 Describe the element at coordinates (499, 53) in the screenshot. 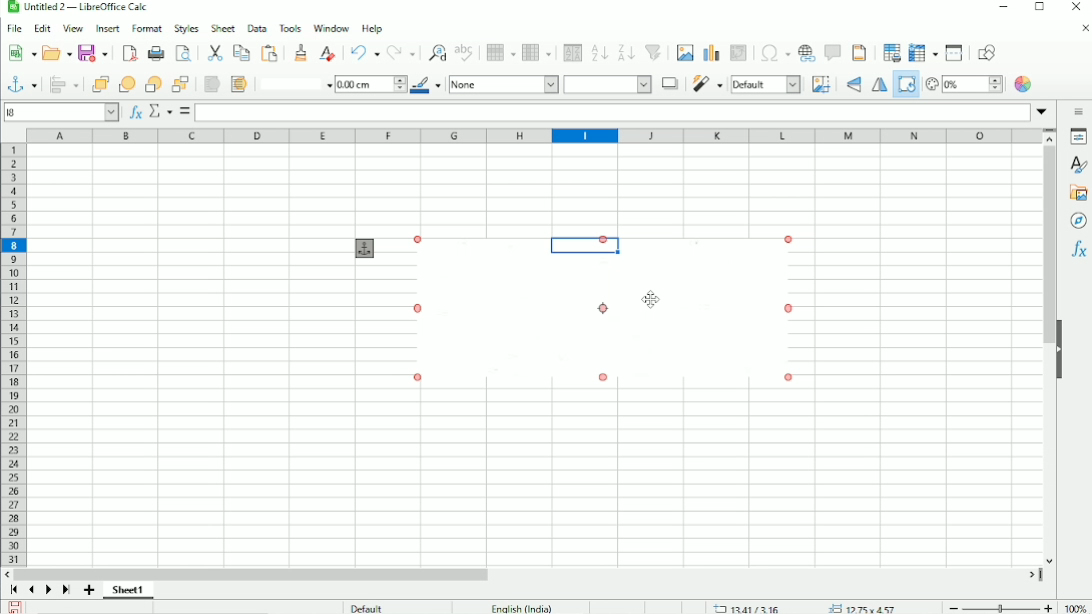

I see `Row` at that location.